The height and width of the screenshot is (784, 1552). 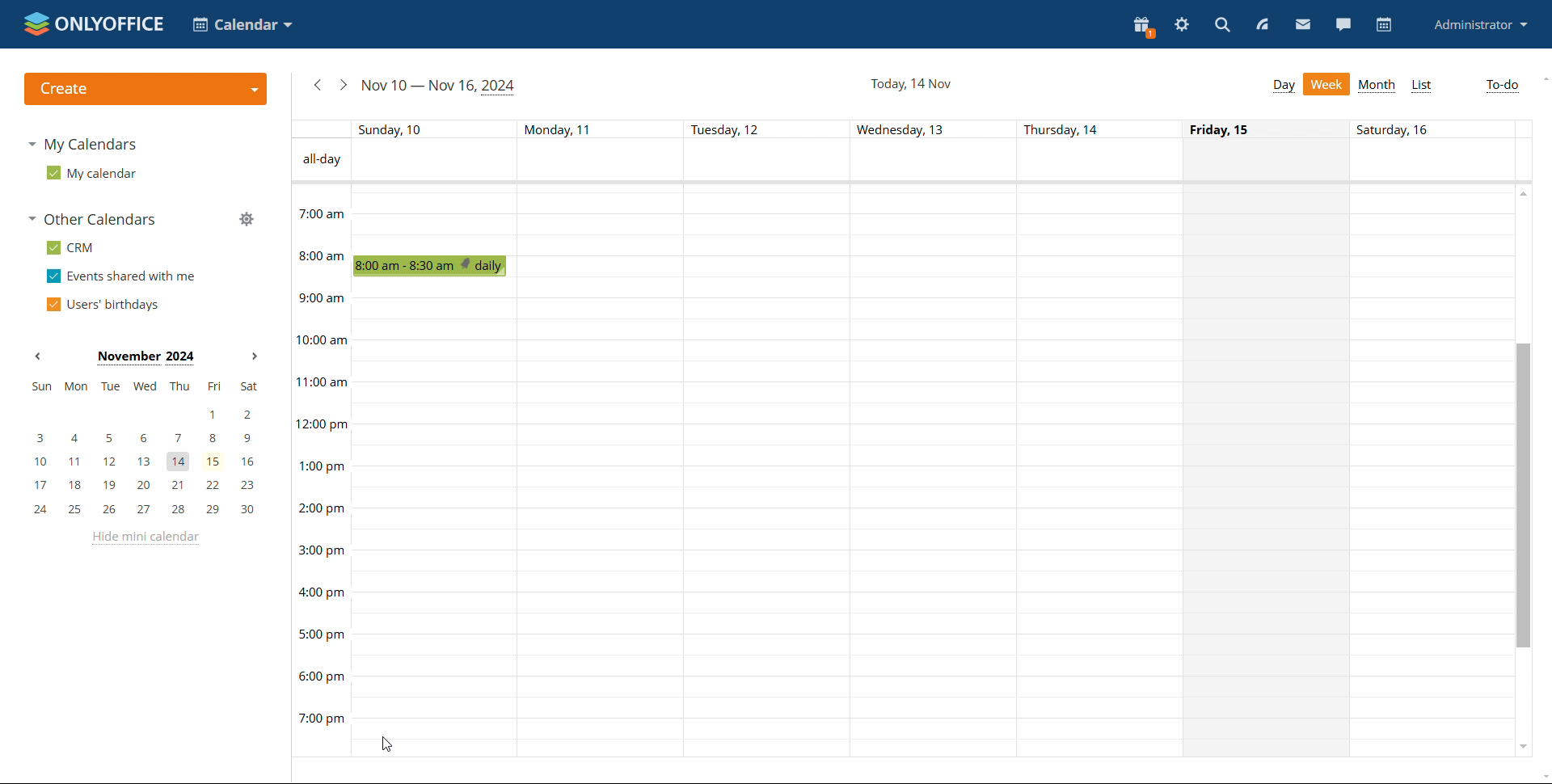 I want to click on feed, so click(x=1261, y=24).